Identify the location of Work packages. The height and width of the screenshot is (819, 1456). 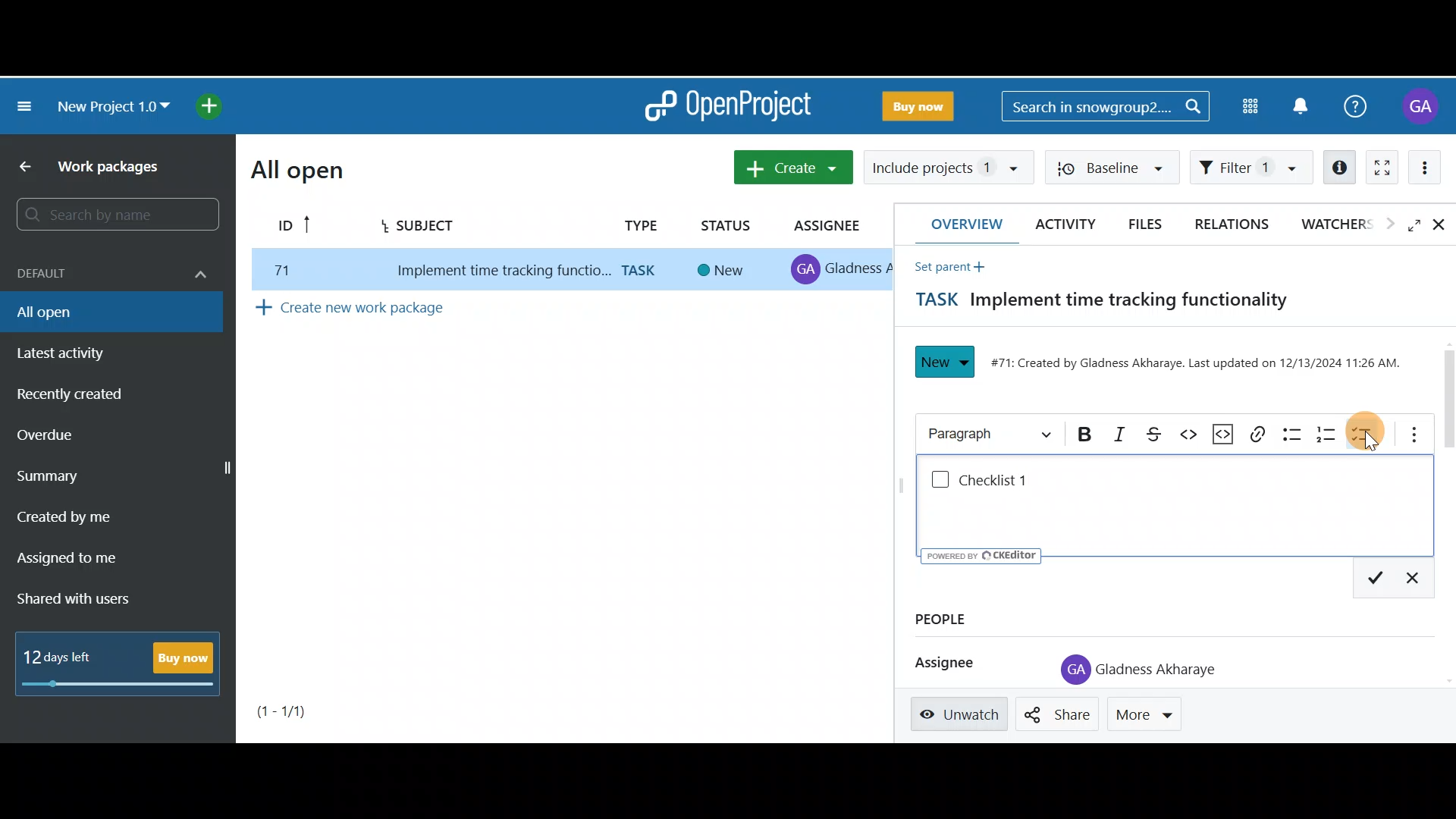
(99, 166).